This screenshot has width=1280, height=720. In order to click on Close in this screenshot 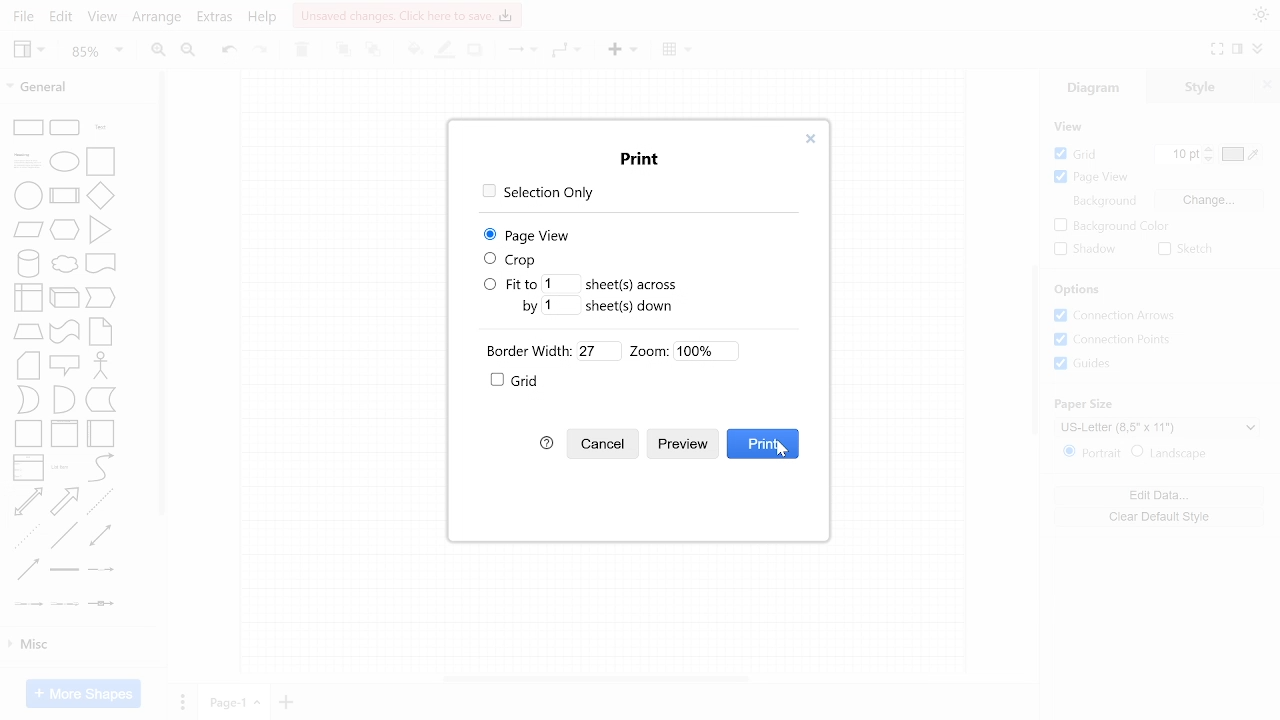, I will do `click(810, 139)`.